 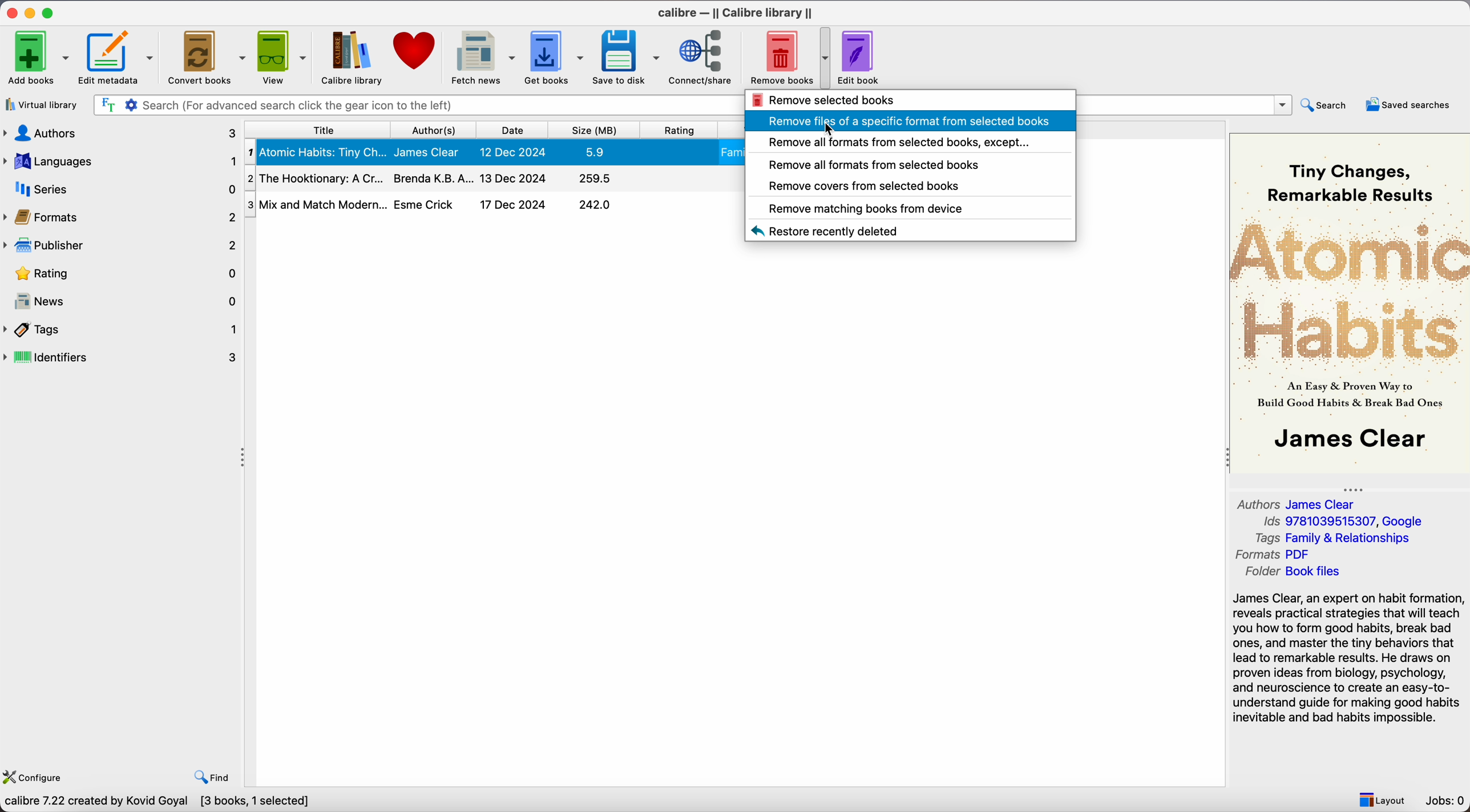 I want to click on connect/share, so click(x=701, y=56).